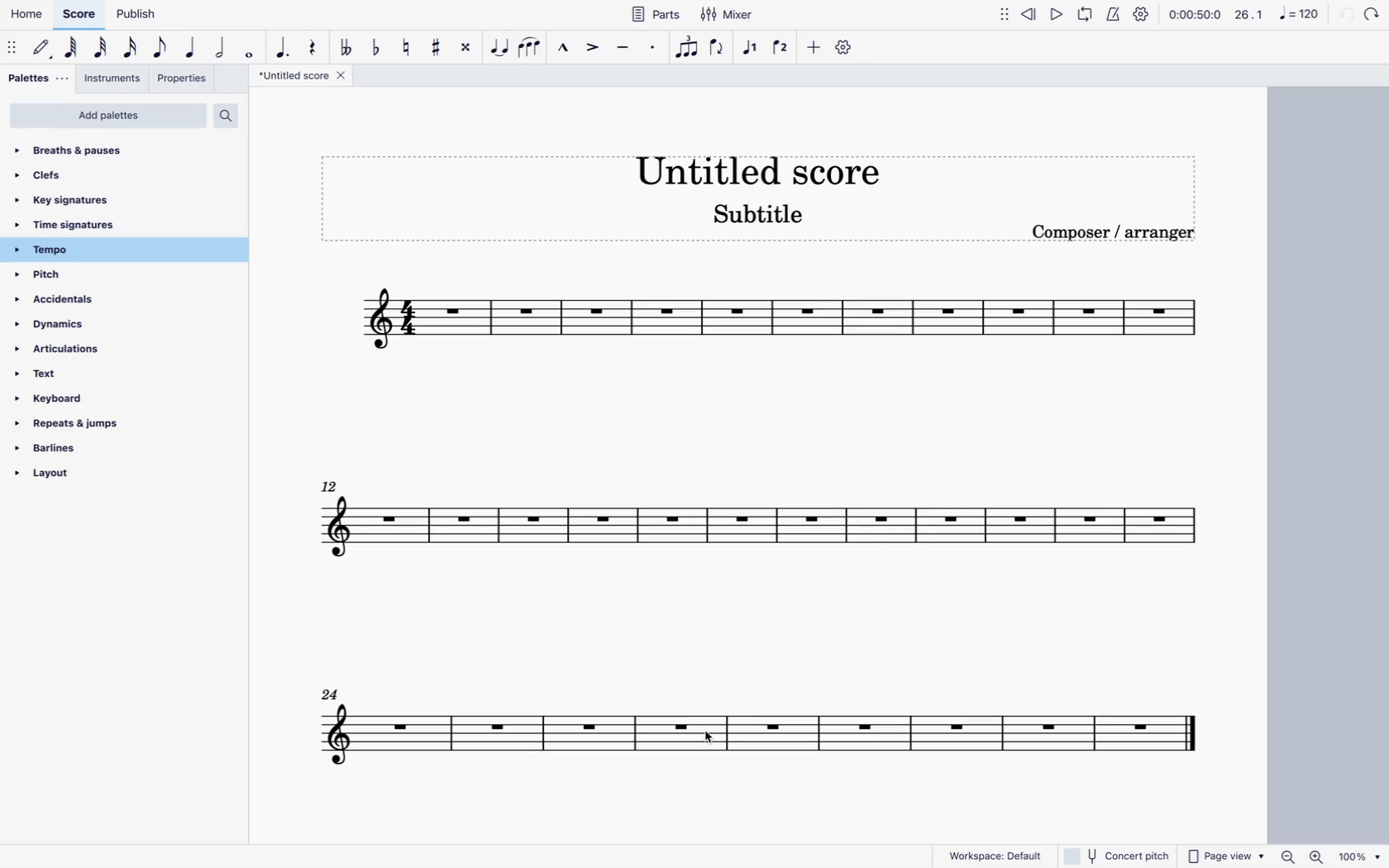 The width and height of the screenshot is (1389, 868). Describe the element at coordinates (69, 374) in the screenshot. I see `text` at that location.